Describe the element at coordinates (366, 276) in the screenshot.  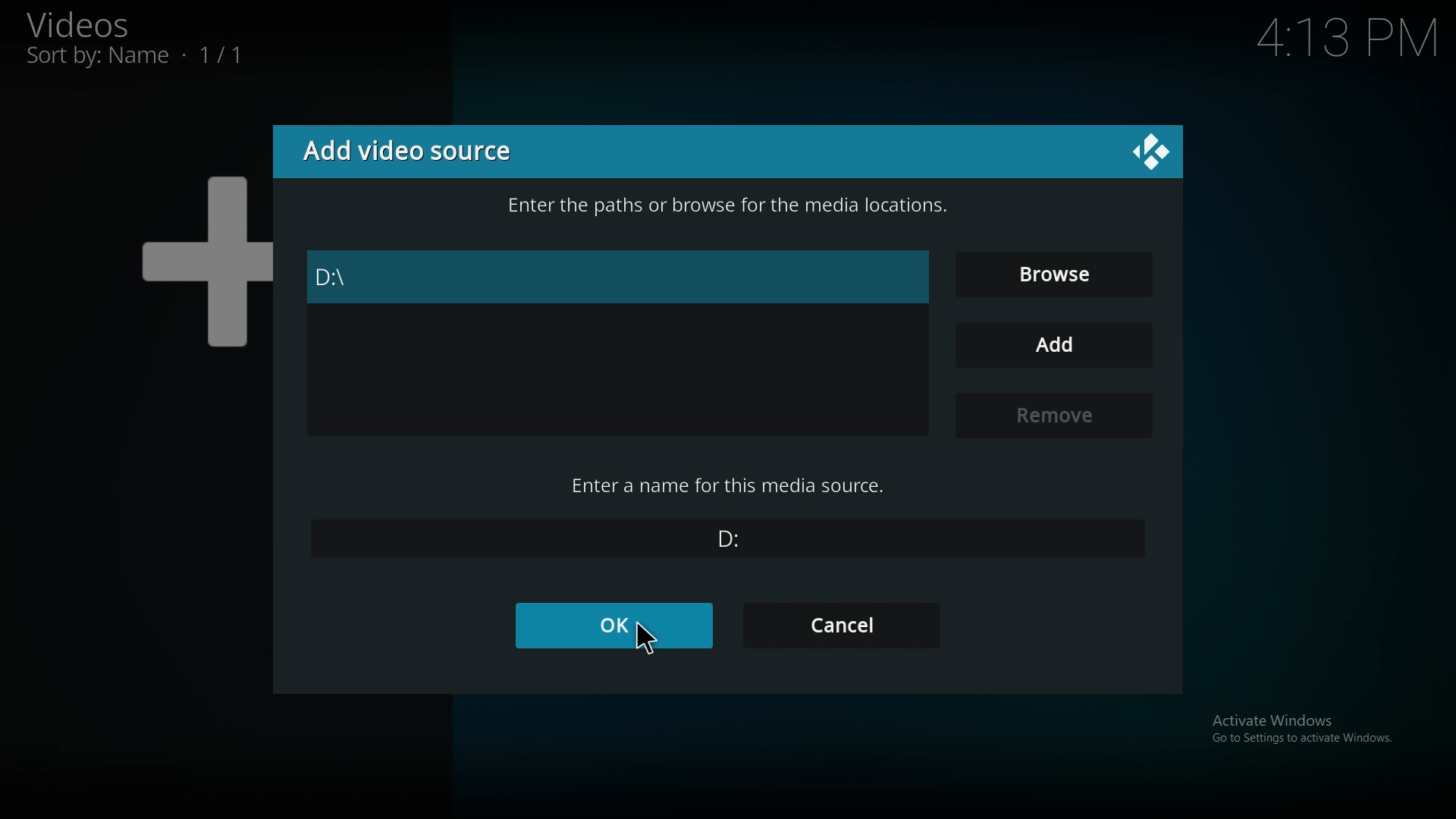
I see `folder` at that location.